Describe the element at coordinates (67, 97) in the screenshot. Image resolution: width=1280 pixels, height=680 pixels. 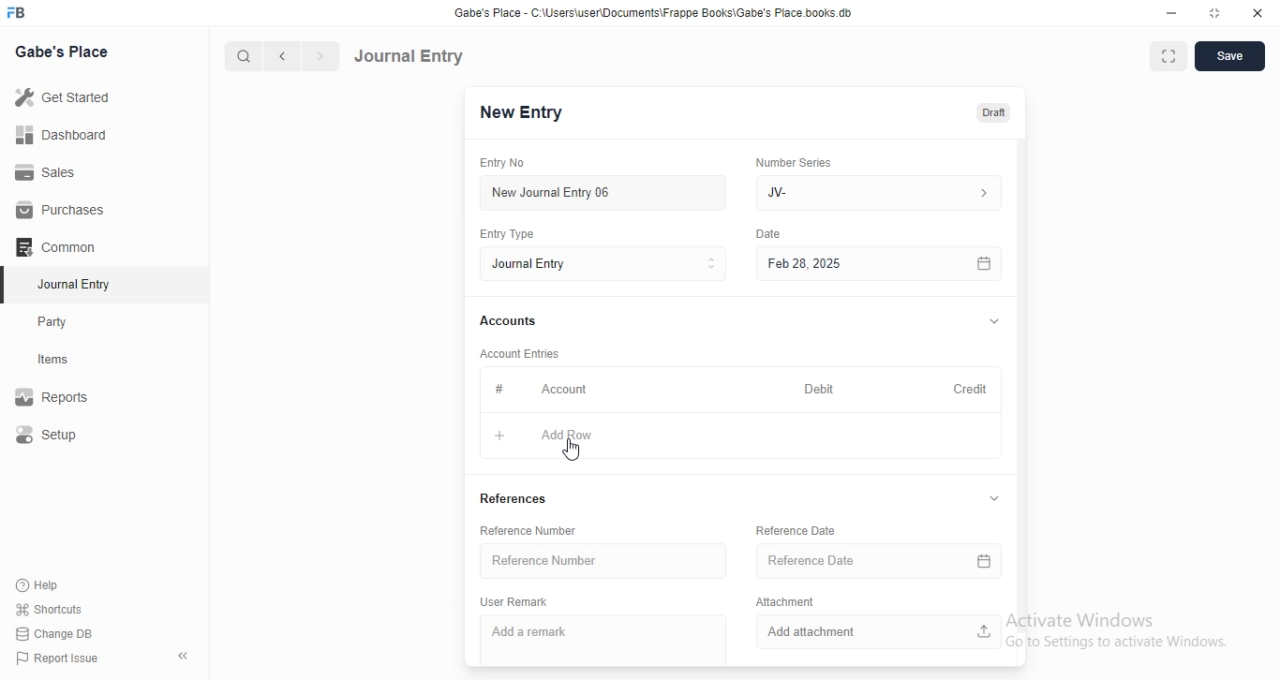
I see `Get Started` at that location.